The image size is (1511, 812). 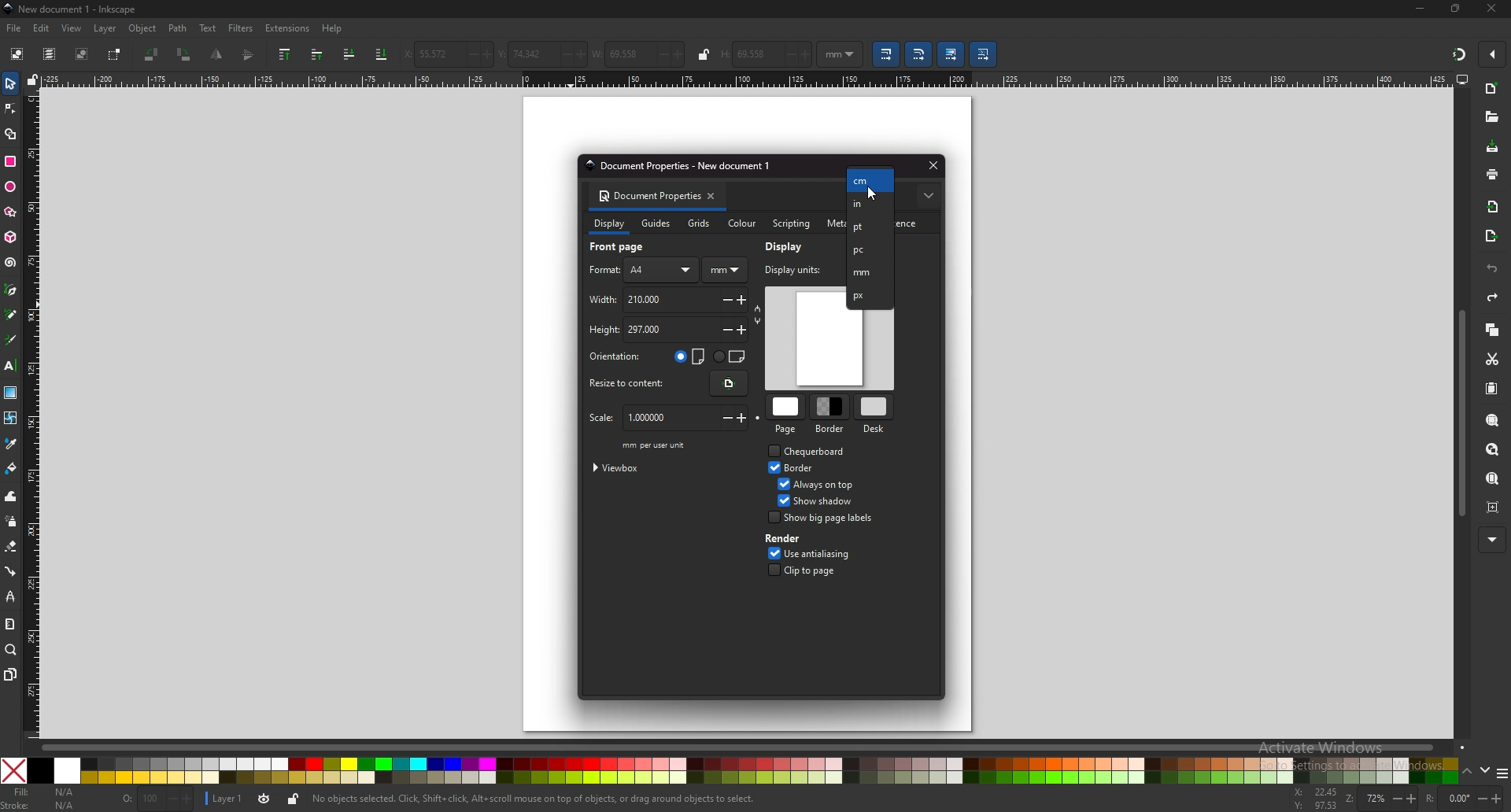 What do you see at coordinates (1491, 236) in the screenshot?
I see `export` at bounding box center [1491, 236].